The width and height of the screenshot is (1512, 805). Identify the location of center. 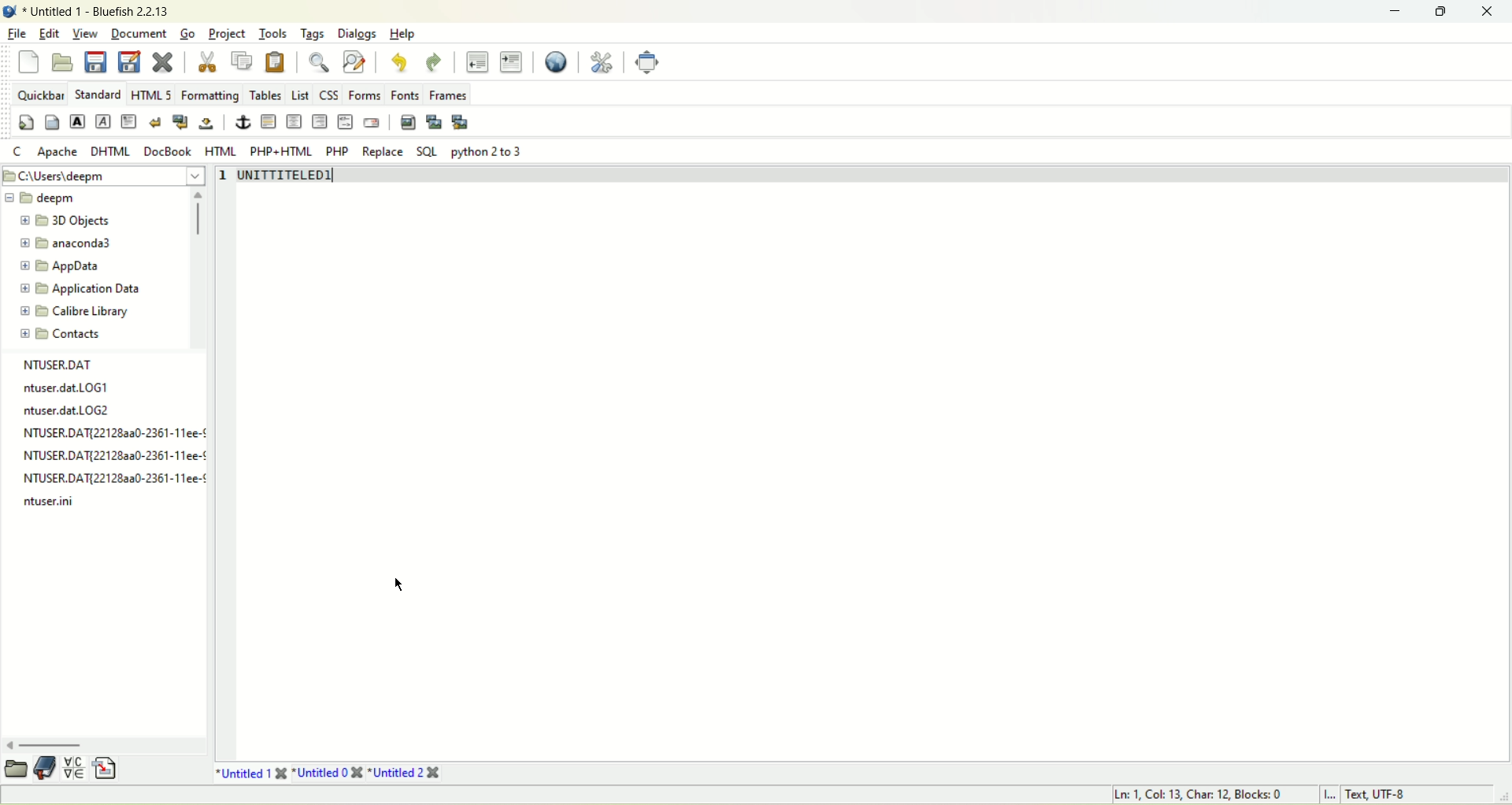
(294, 121).